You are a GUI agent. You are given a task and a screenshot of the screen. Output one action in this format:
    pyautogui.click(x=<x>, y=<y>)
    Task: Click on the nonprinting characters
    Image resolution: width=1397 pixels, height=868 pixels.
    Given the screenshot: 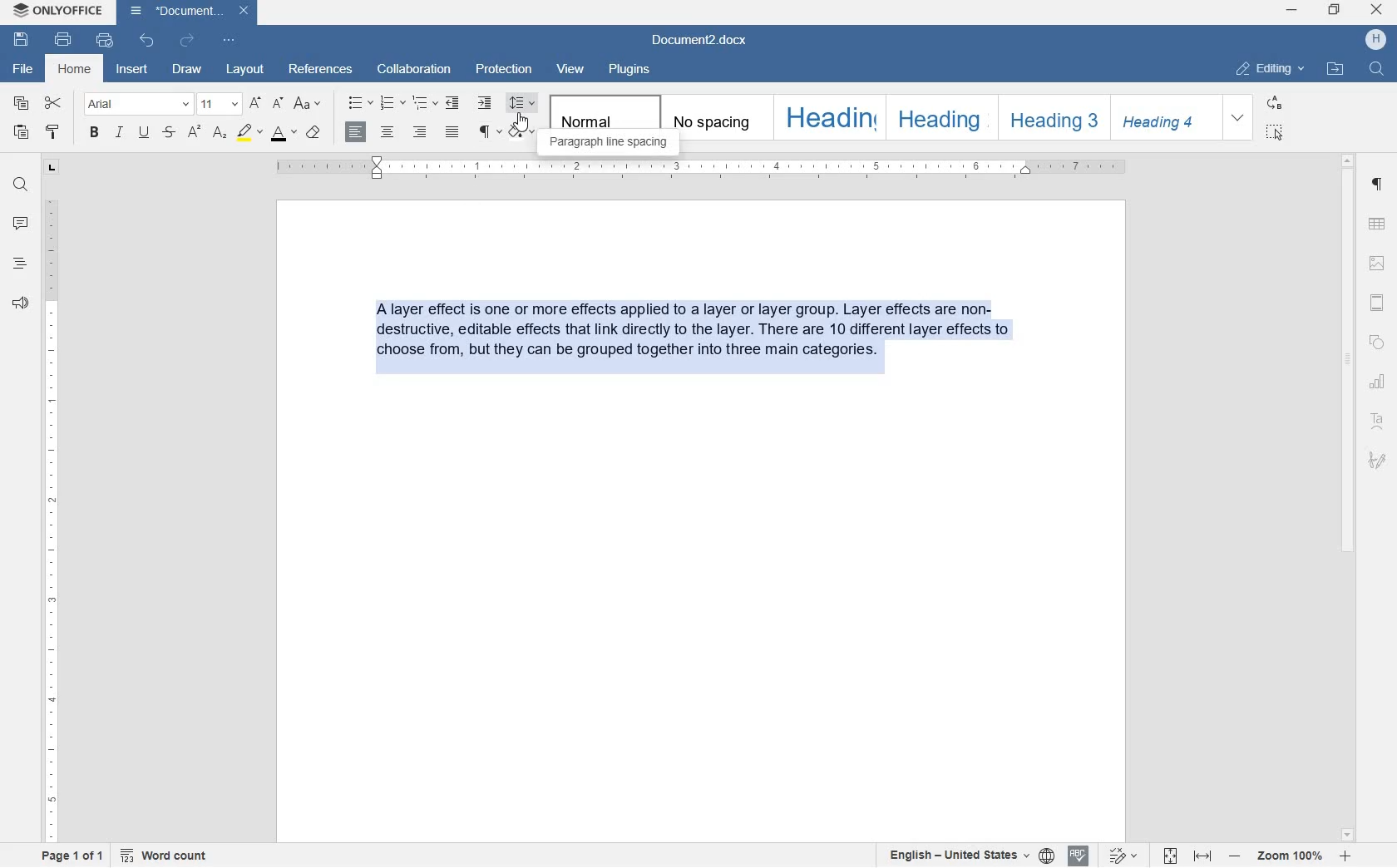 What is the action you would take?
    pyautogui.click(x=488, y=131)
    